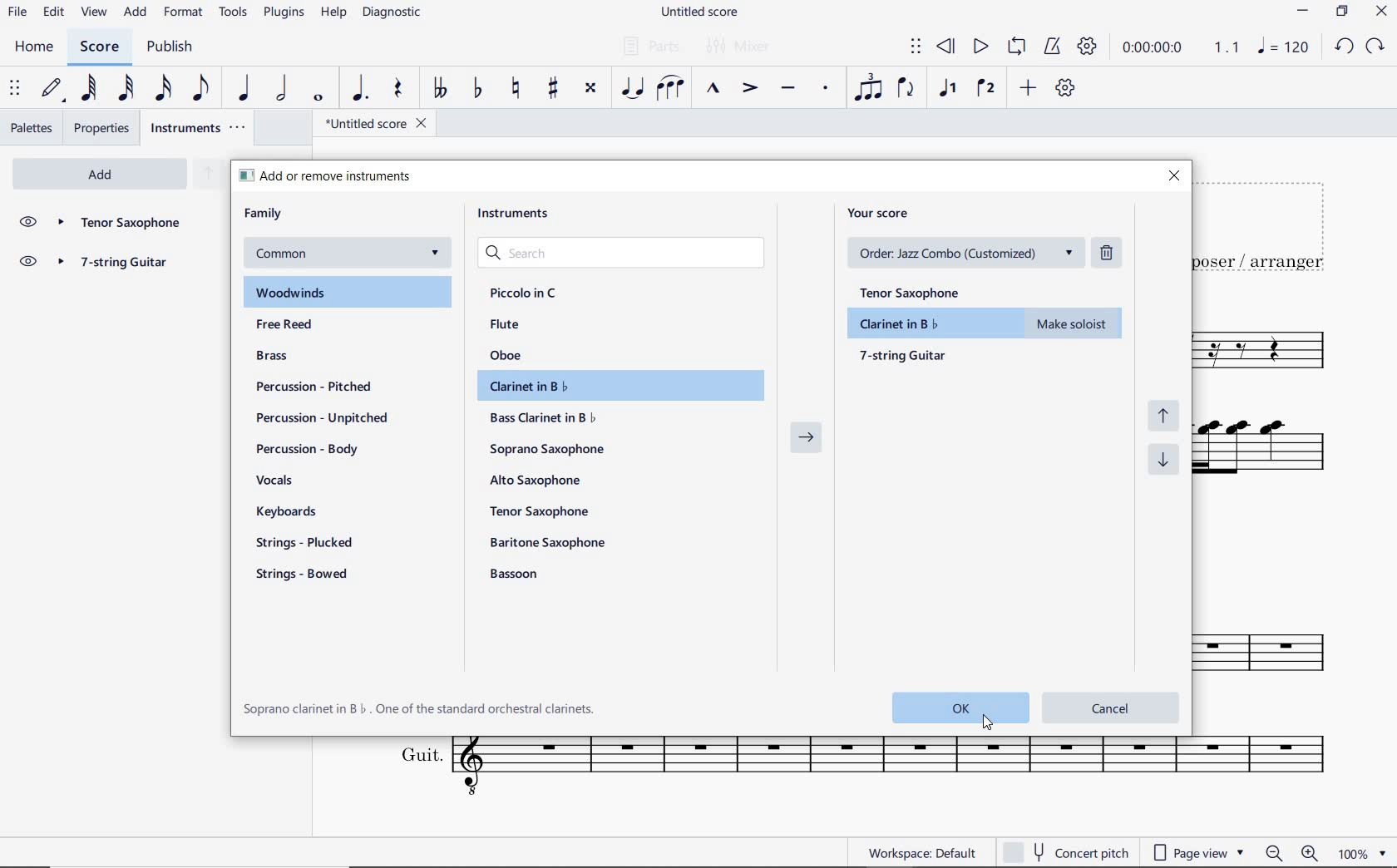 The height and width of the screenshot is (868, 1397). What do you see at coordinates (1029, 89) in the screenshot?
I see `ADD` at bounding box center [1029, 89].